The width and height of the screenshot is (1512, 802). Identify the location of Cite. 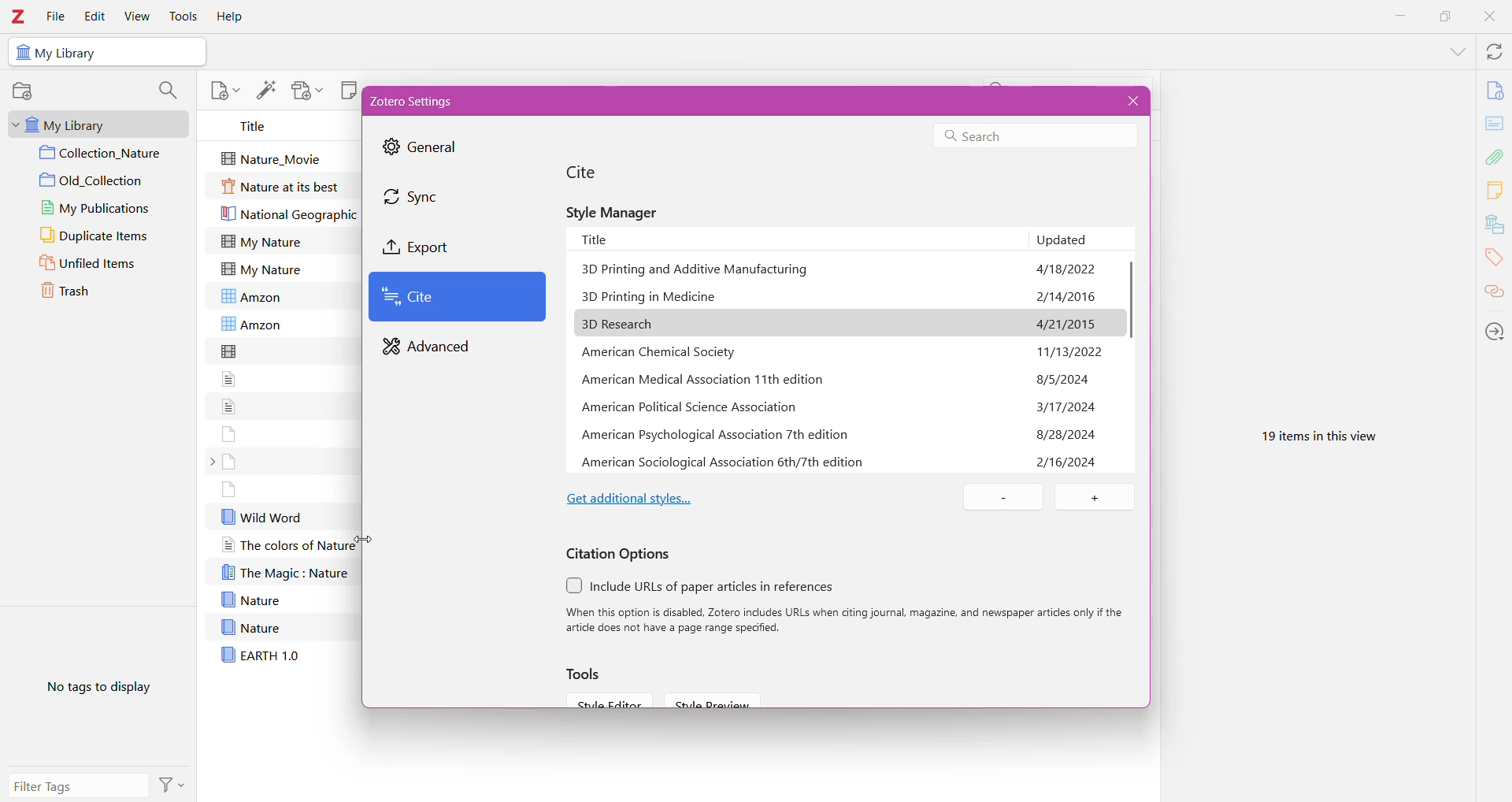
(458, 298).